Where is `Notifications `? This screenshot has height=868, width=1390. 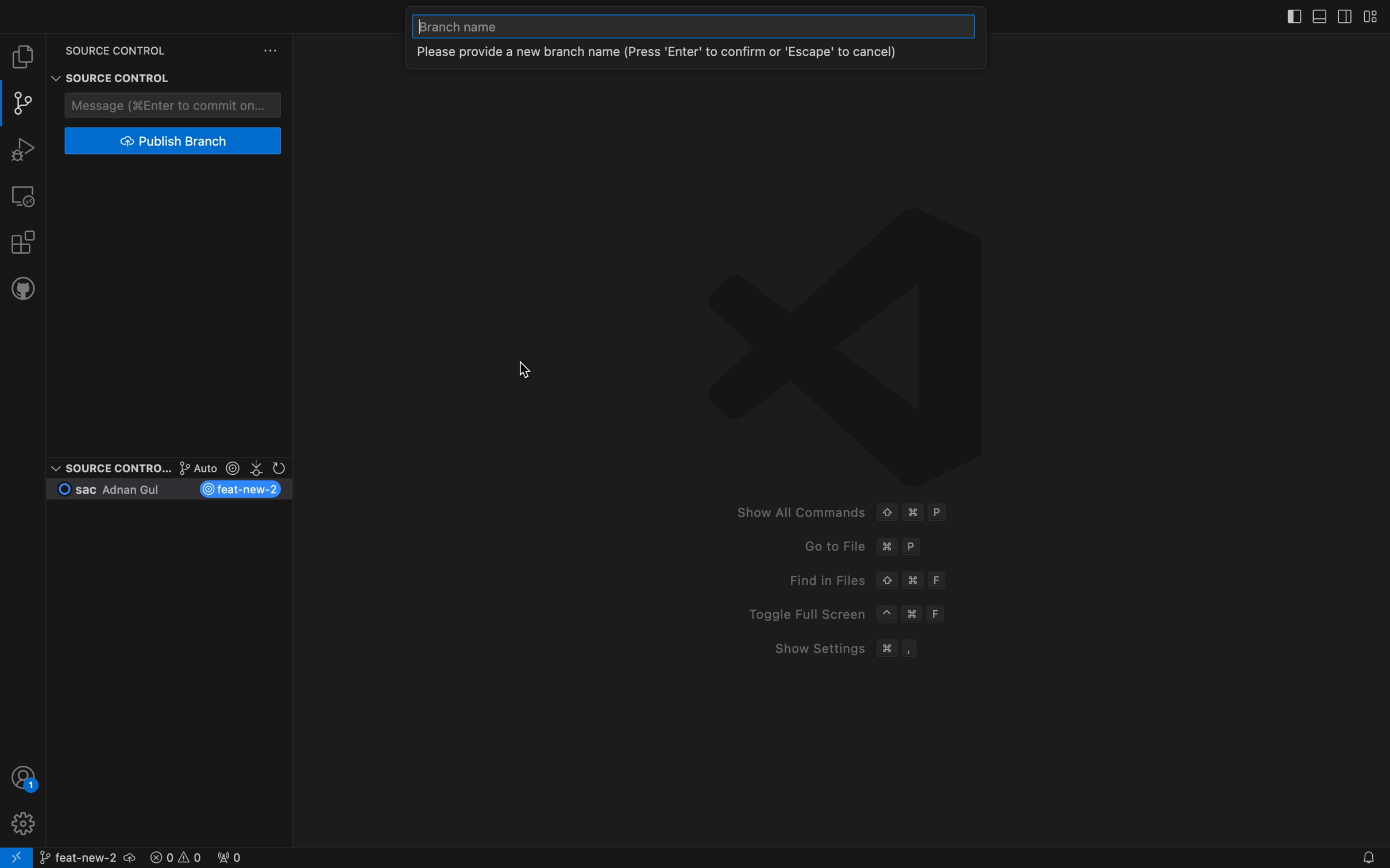
Notifications  is located at coordinates (1366, 858).